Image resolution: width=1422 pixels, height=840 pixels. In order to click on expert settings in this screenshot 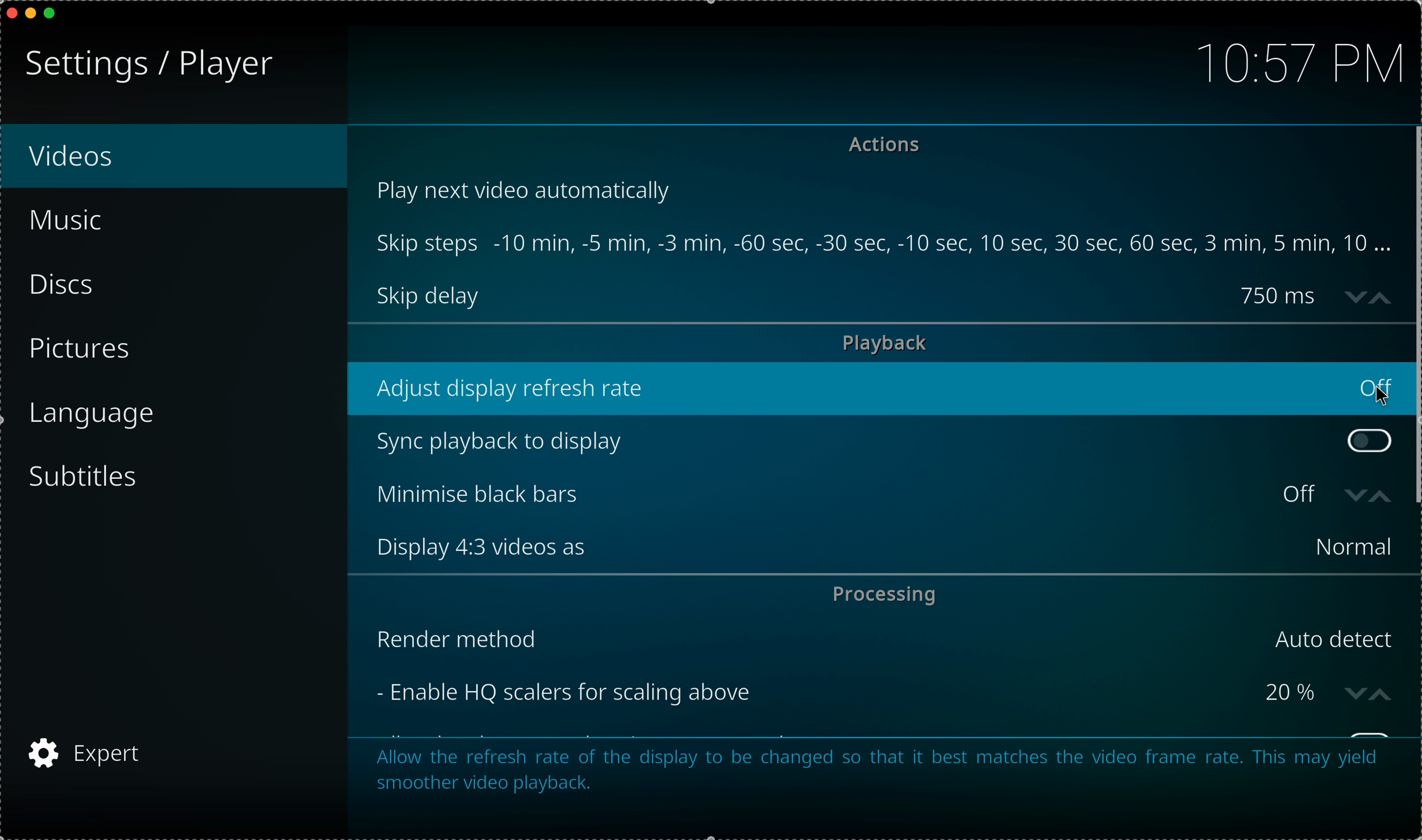, I will do `click(88, 751)`.